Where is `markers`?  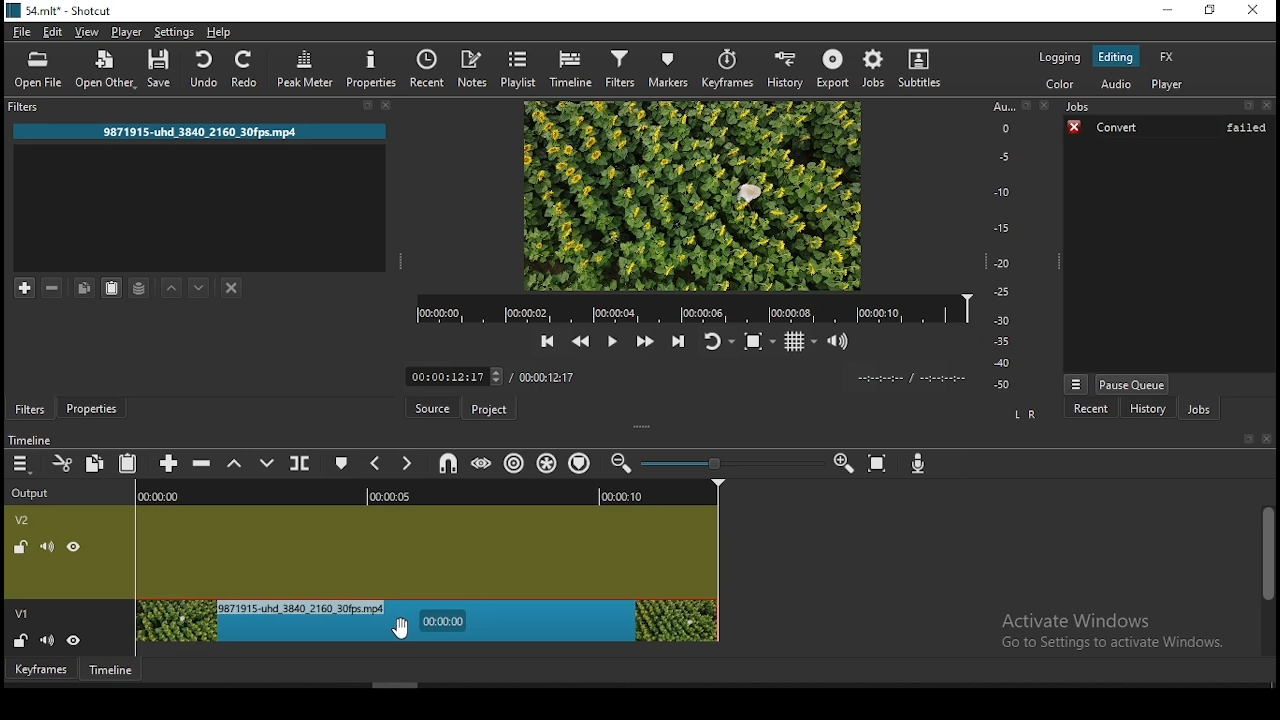 markers is located at coordinates (673, 69).